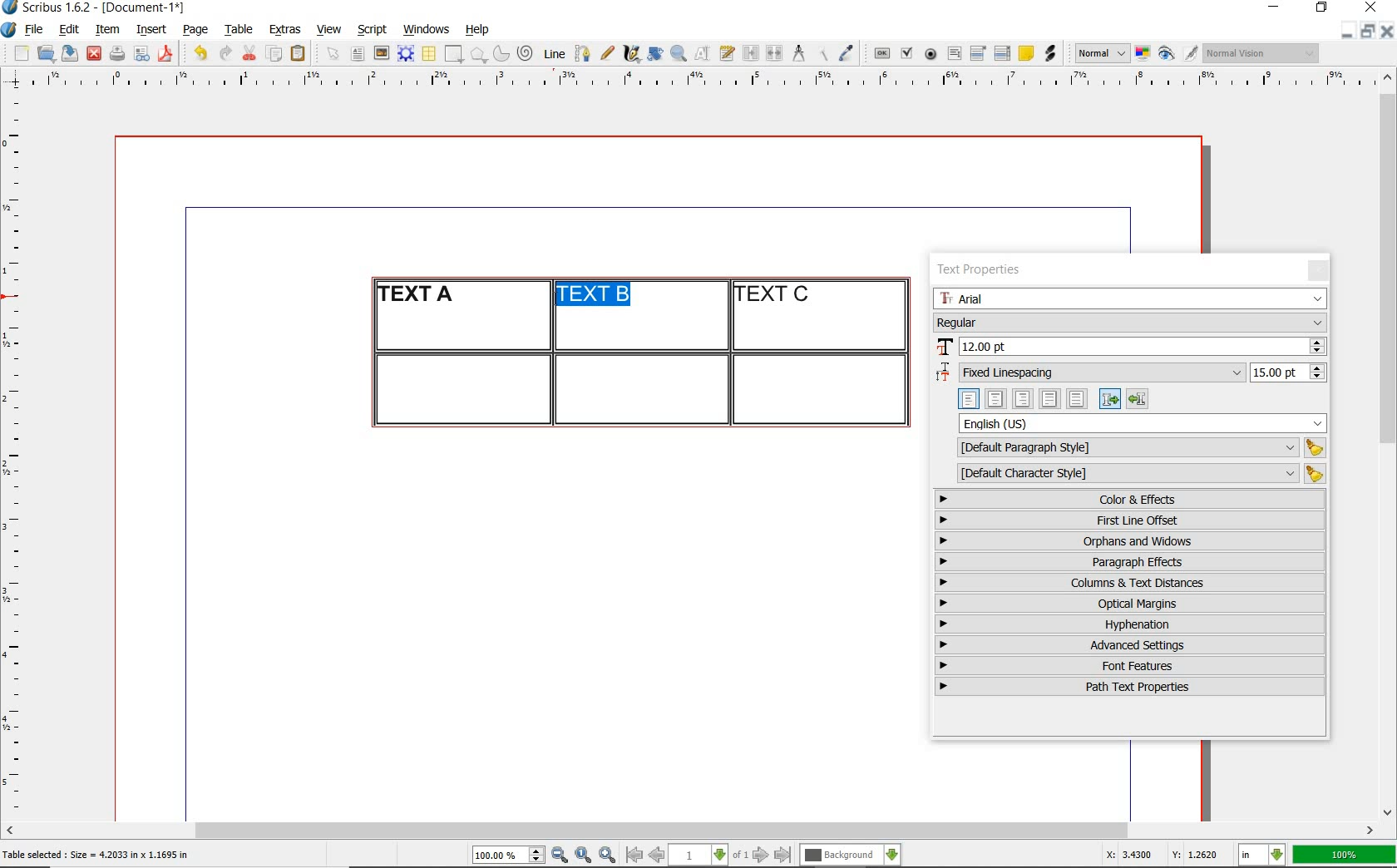  I want to click on ruler, so click(709, 81).